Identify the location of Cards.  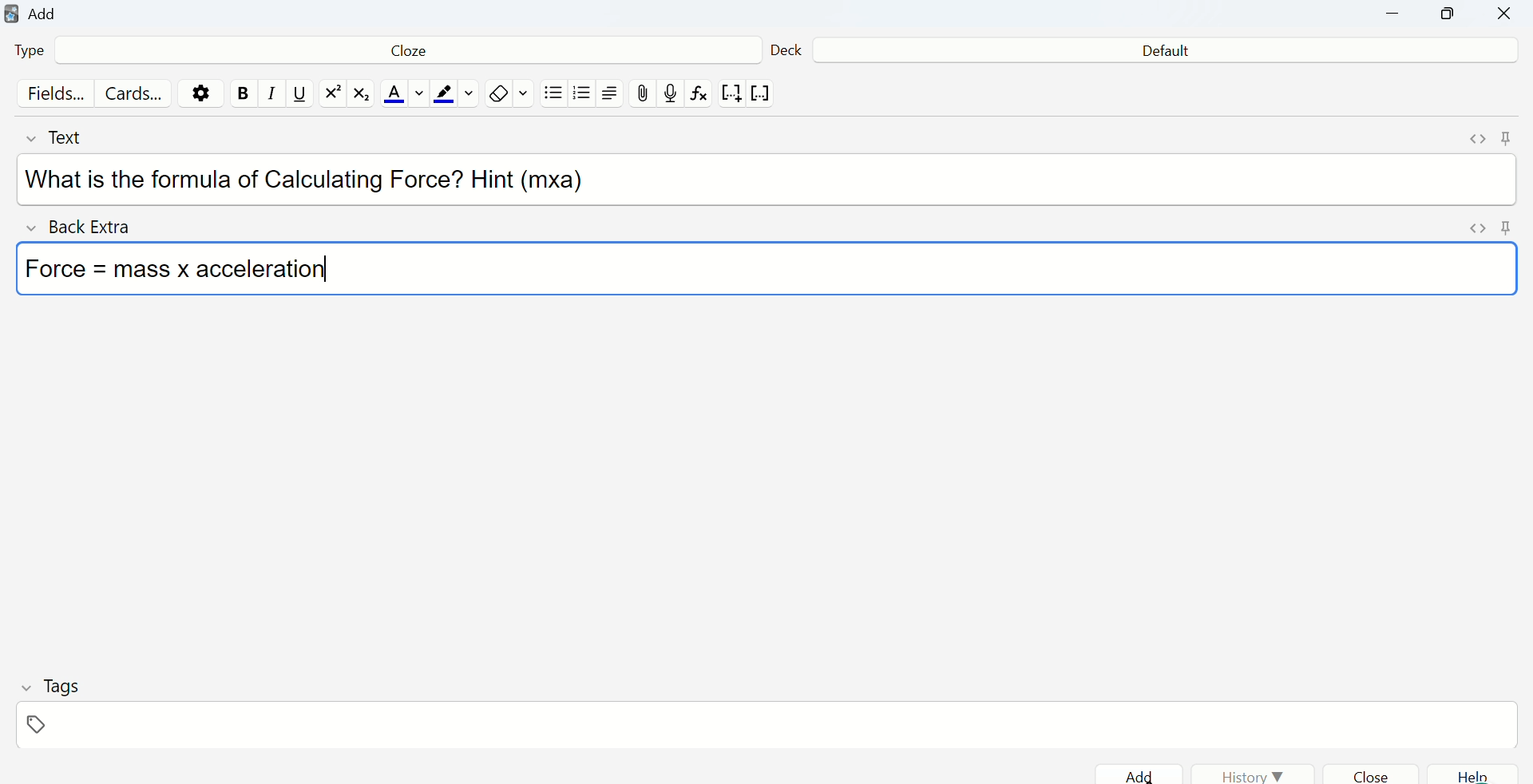
(135, 94).